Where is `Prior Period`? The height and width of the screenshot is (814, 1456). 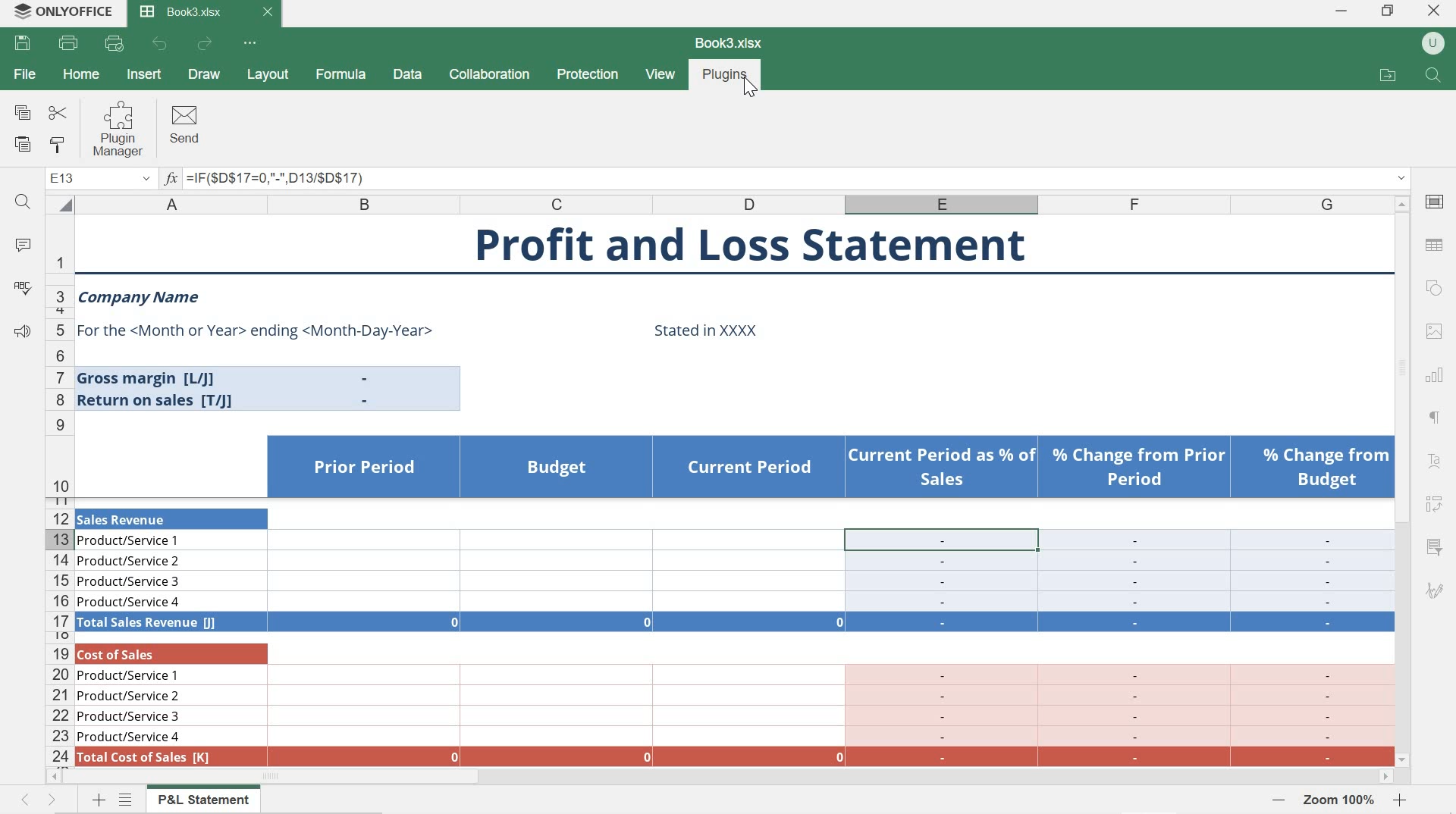 Prior Period is located at coordinates (364, 468).